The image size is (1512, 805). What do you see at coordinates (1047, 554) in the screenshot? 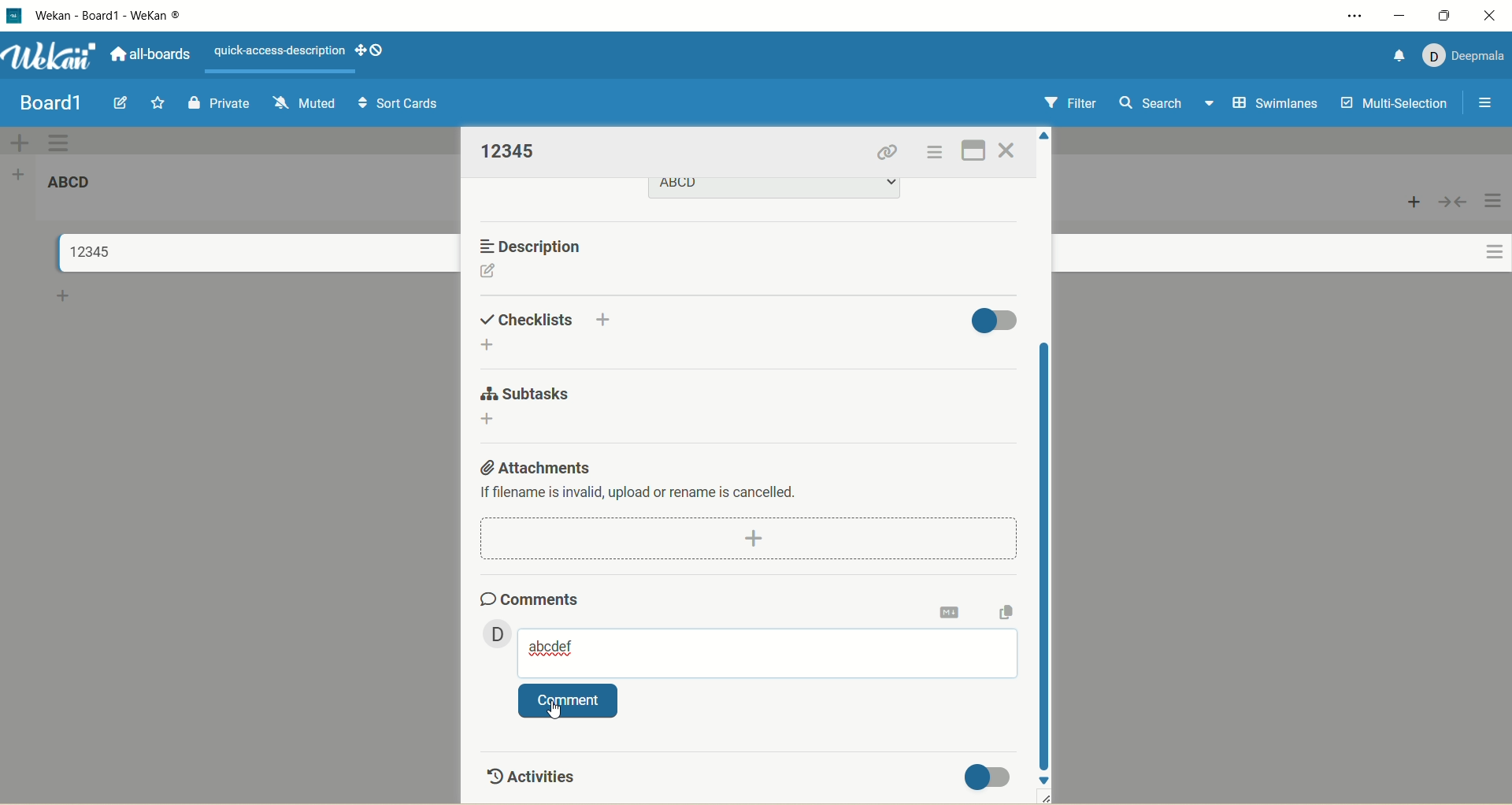
I see `vertical scroll bar` at bounding box center [1047, 554].